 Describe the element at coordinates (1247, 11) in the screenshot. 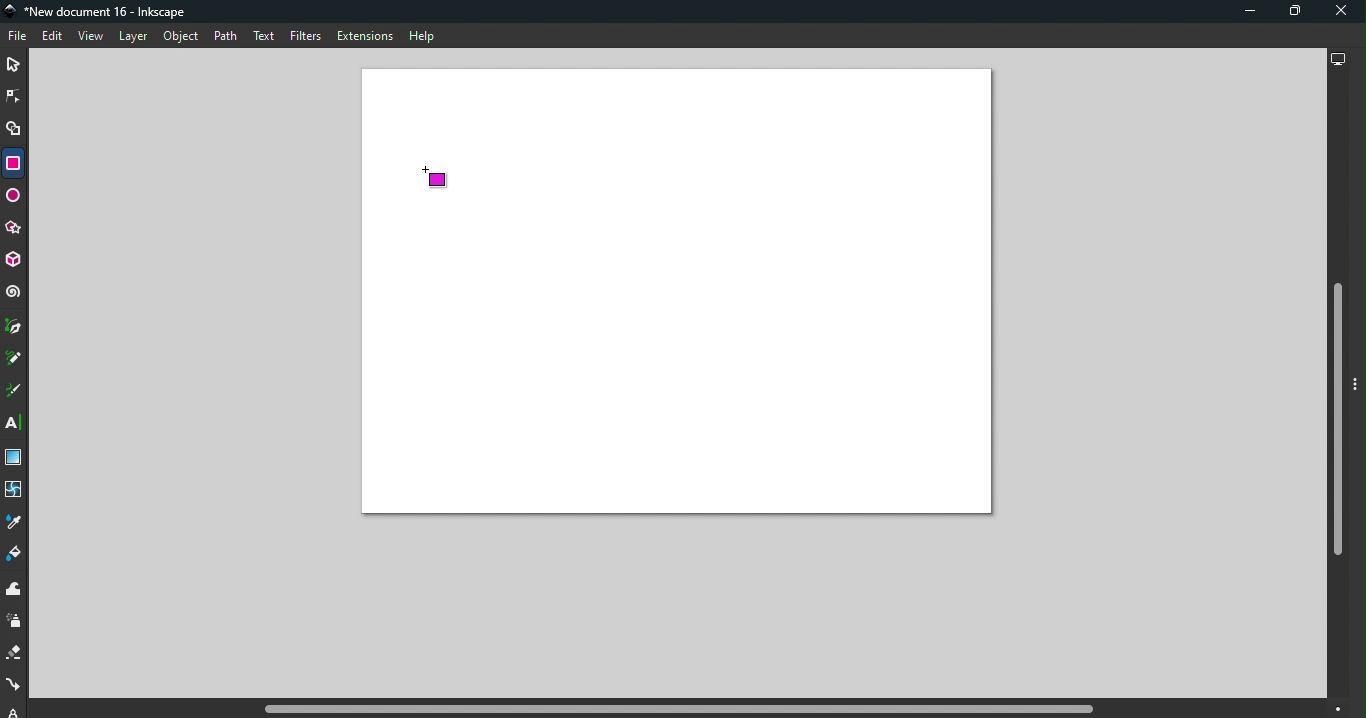

I see `Minimize` at that location.